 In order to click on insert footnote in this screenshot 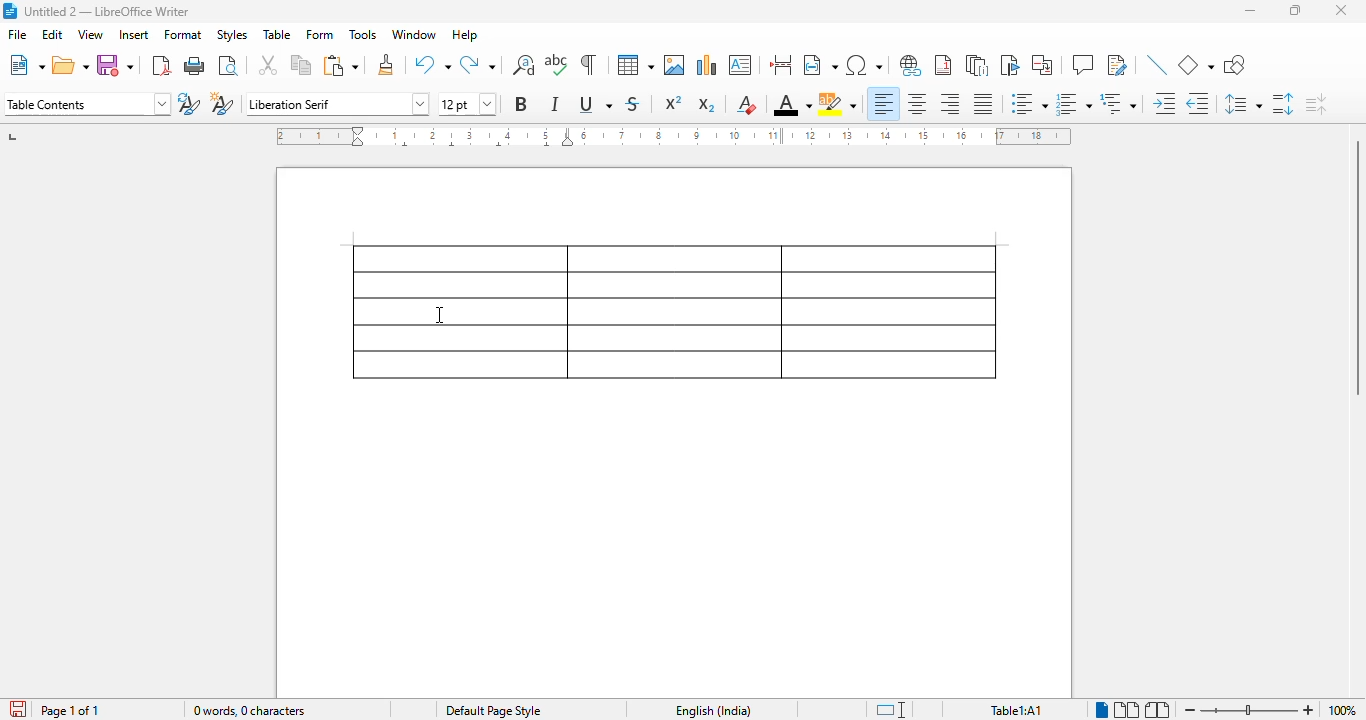, I will do `click(943, 65)`.